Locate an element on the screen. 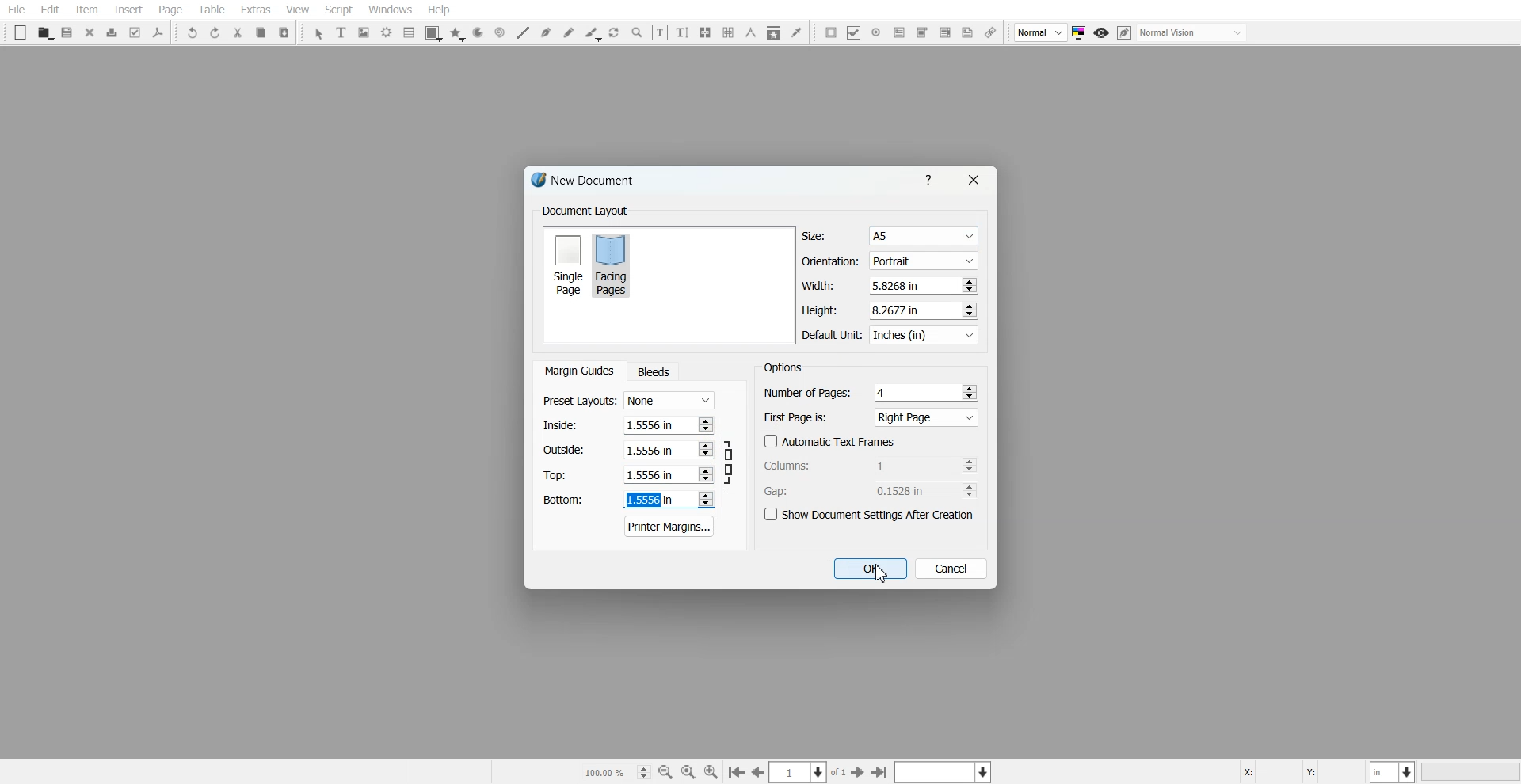 The height and width of the screenshot is (784, 1521). 5.8268 in is located at coordinates (898, 285).